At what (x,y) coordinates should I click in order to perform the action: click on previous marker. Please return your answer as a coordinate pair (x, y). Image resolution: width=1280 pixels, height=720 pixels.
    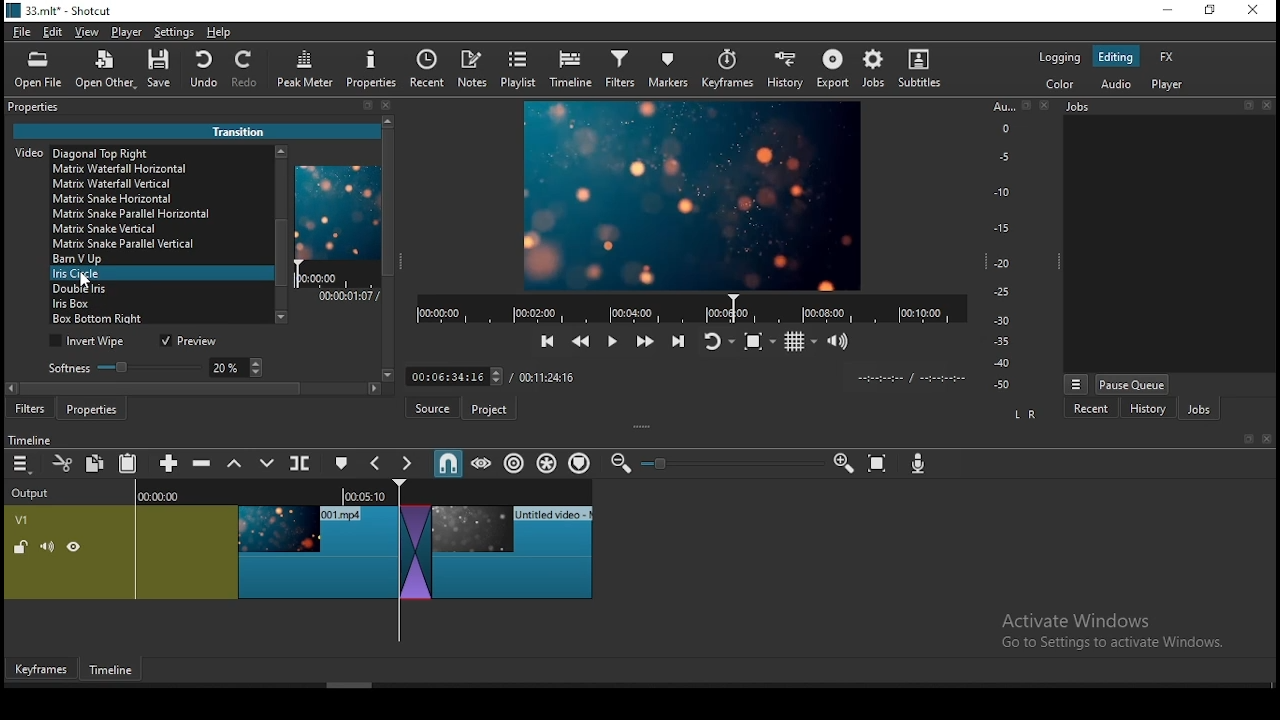
    Looking at the image, I should click on (377, 463).